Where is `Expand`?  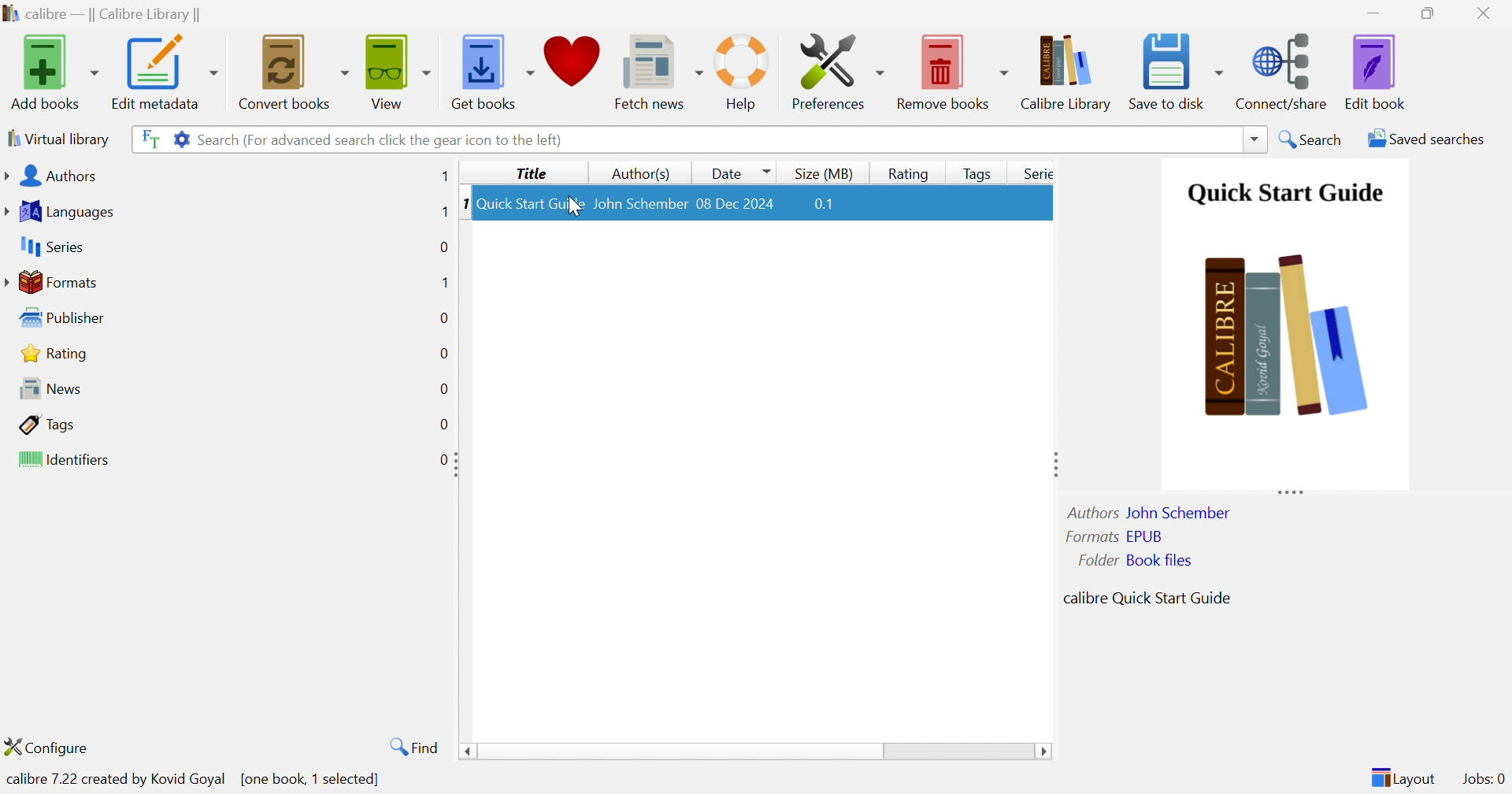
Expand is located at coordinates (457, 463).